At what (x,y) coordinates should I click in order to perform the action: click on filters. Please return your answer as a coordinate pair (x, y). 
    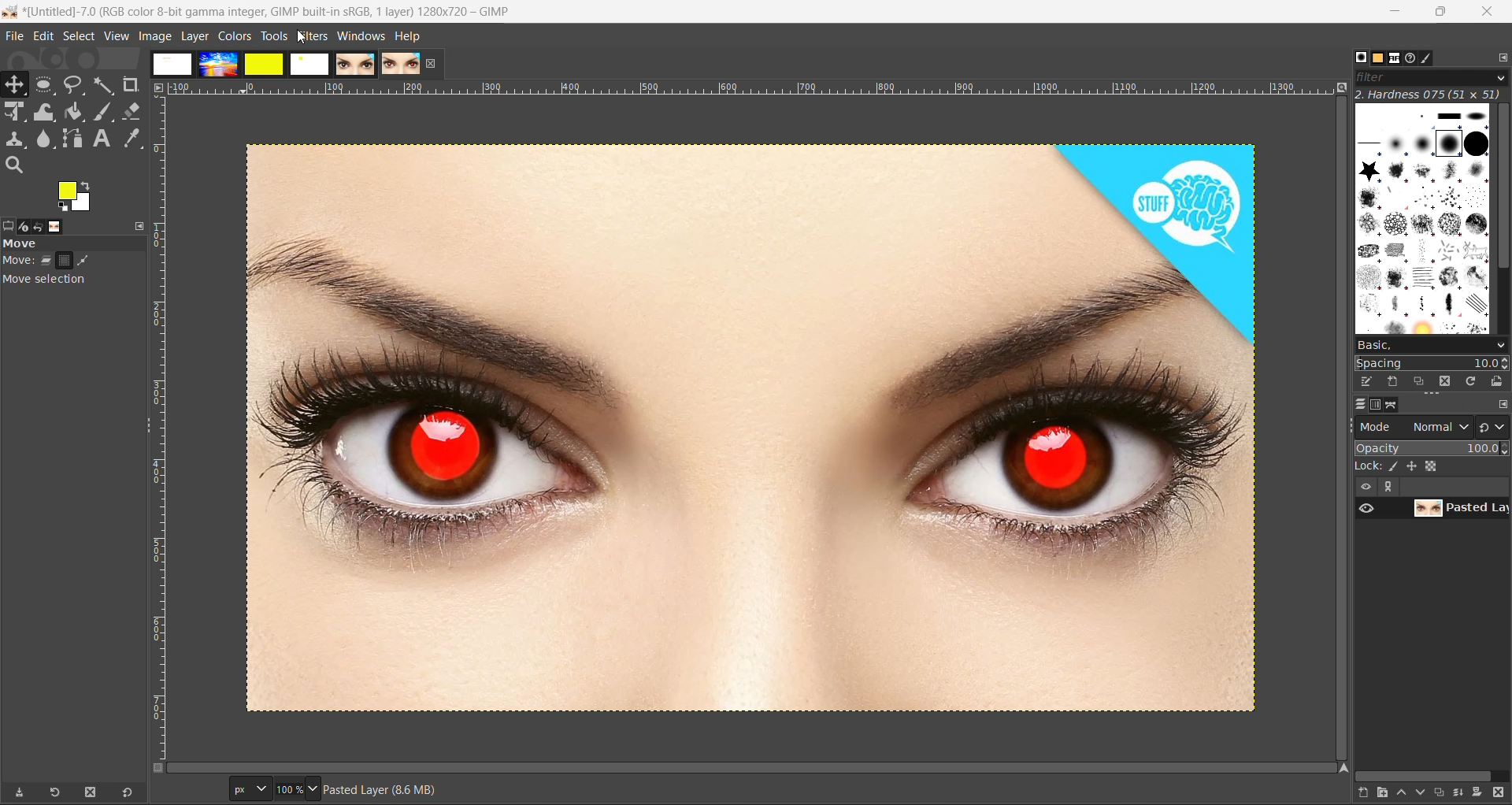
    Looking at the image, I should click on (313, 35).